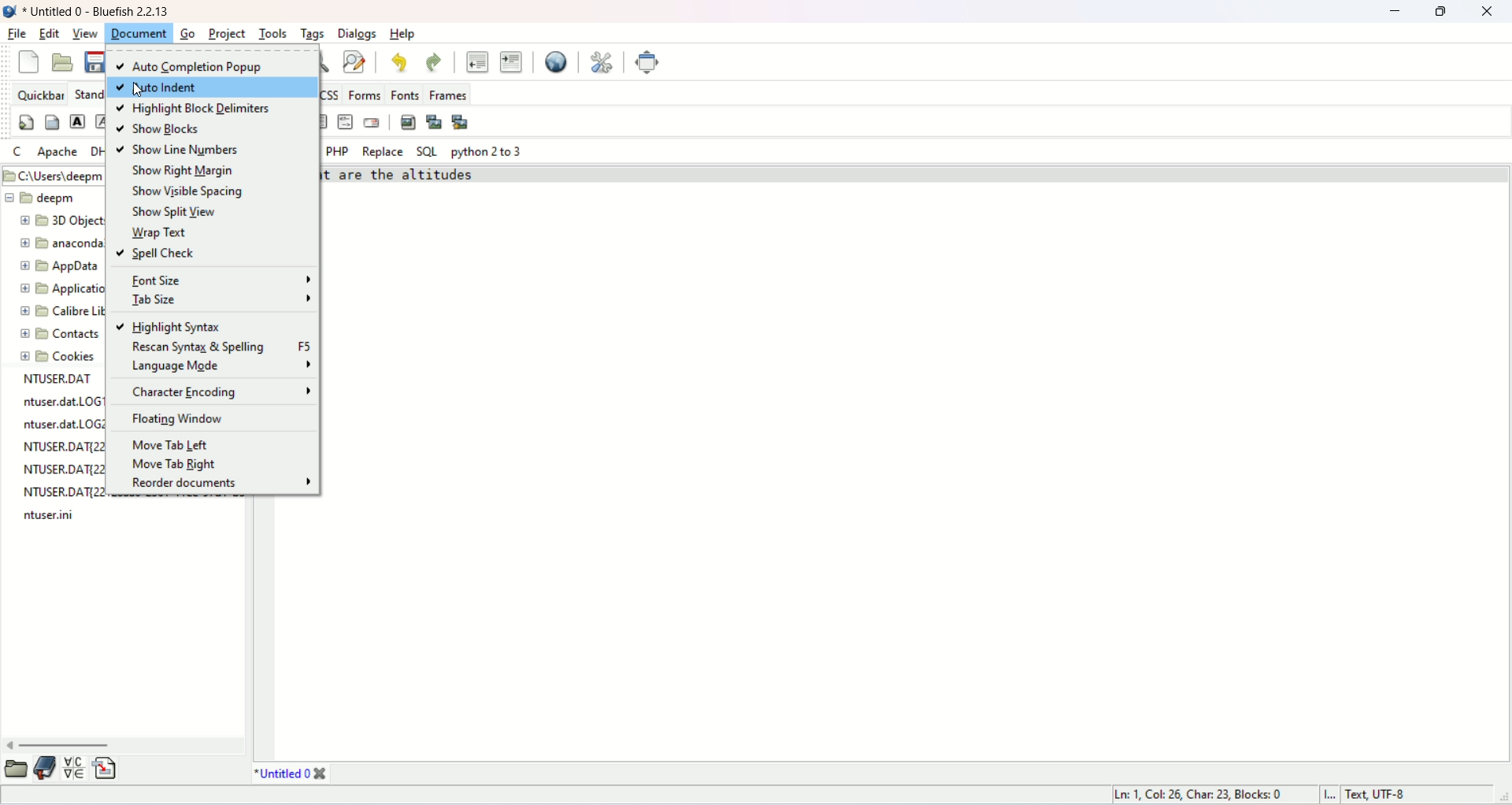 This screenshot has width=1512, height=805. Describe the element at coordinates (51, 33) in the screenshot. I see `edit` at that location.